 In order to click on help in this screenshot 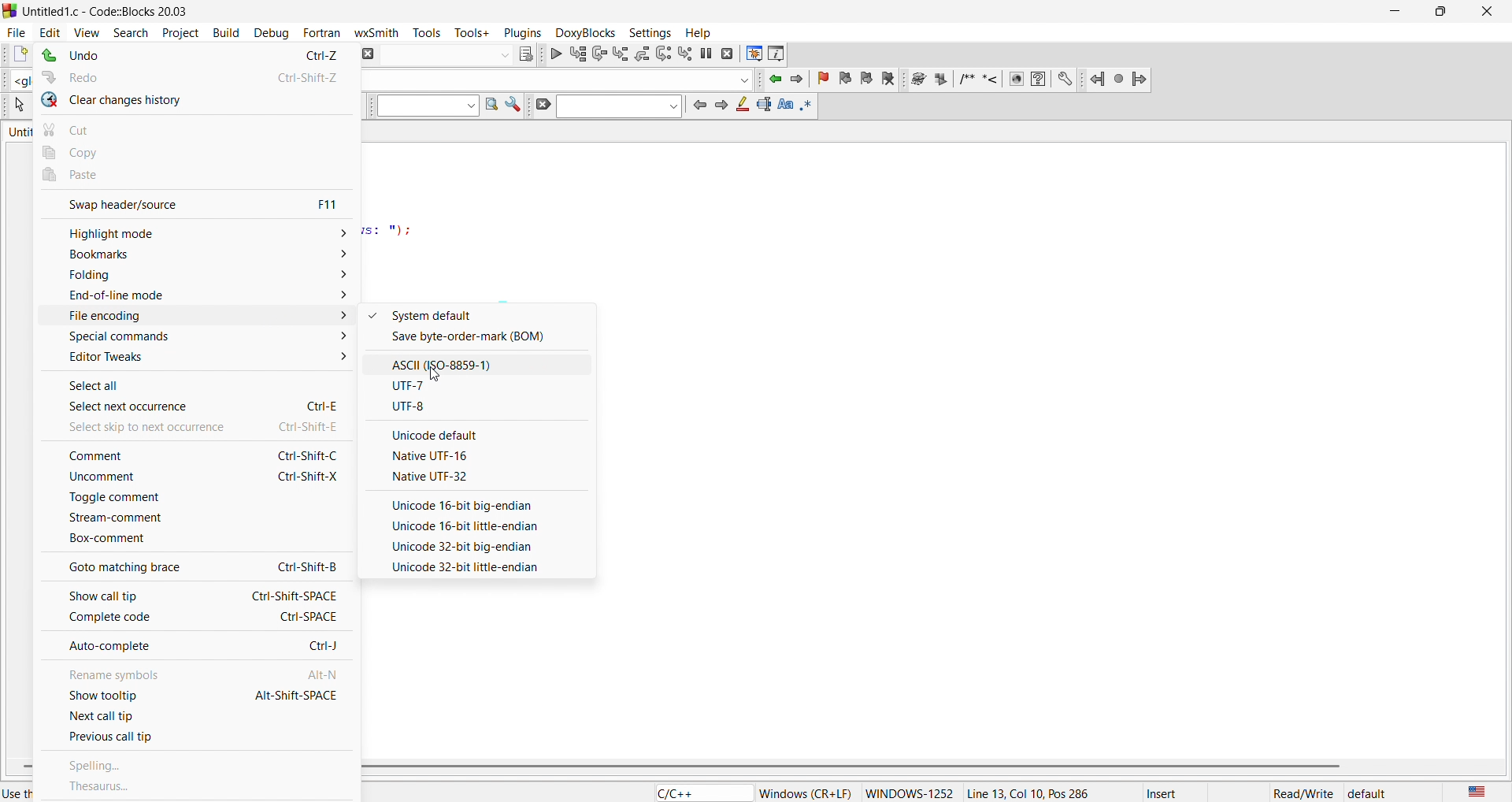, I will do `click(701, 32)`.